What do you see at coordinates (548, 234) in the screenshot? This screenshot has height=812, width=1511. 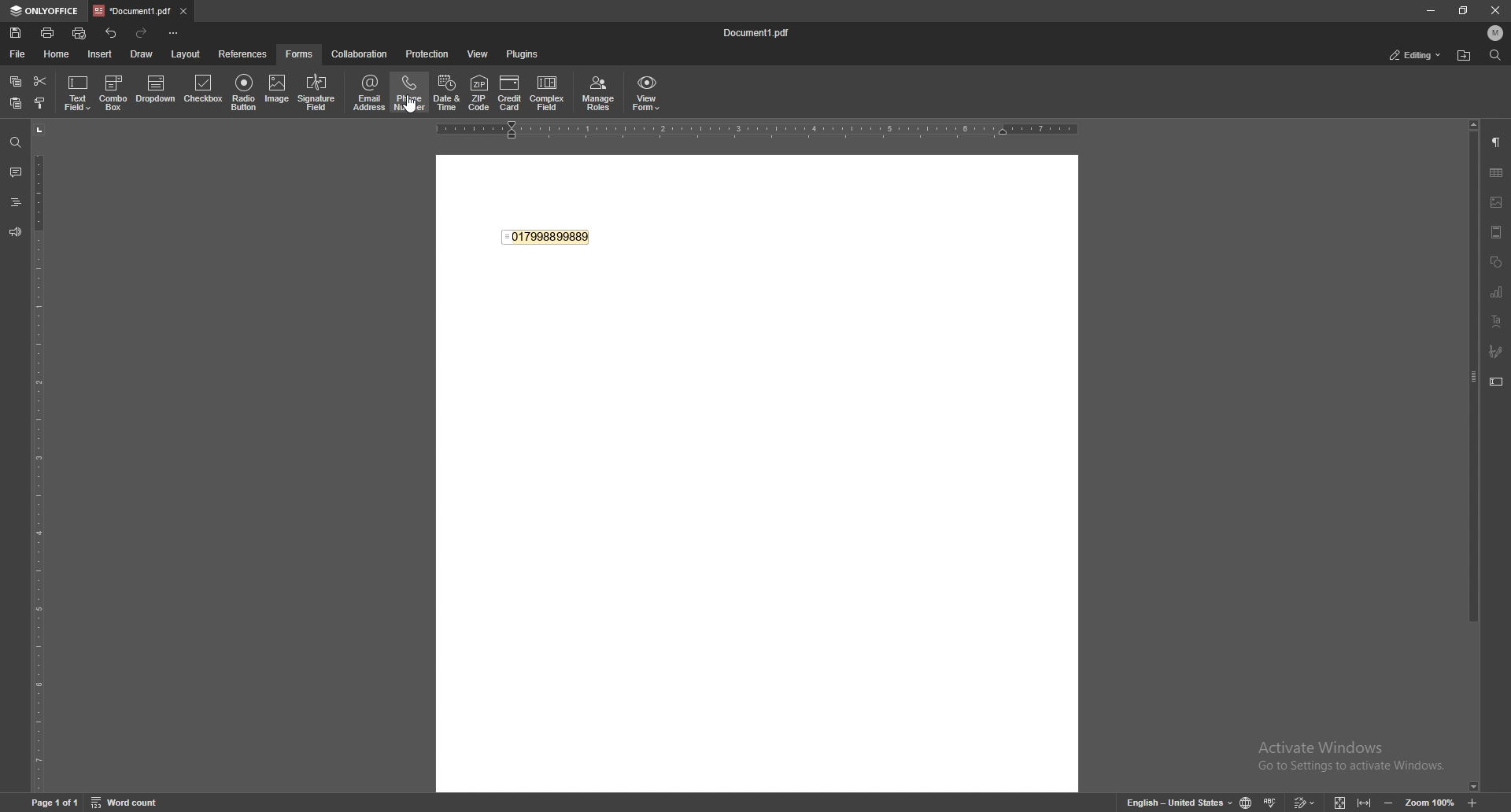 I see `phone number` at bounding box center [548, 234].